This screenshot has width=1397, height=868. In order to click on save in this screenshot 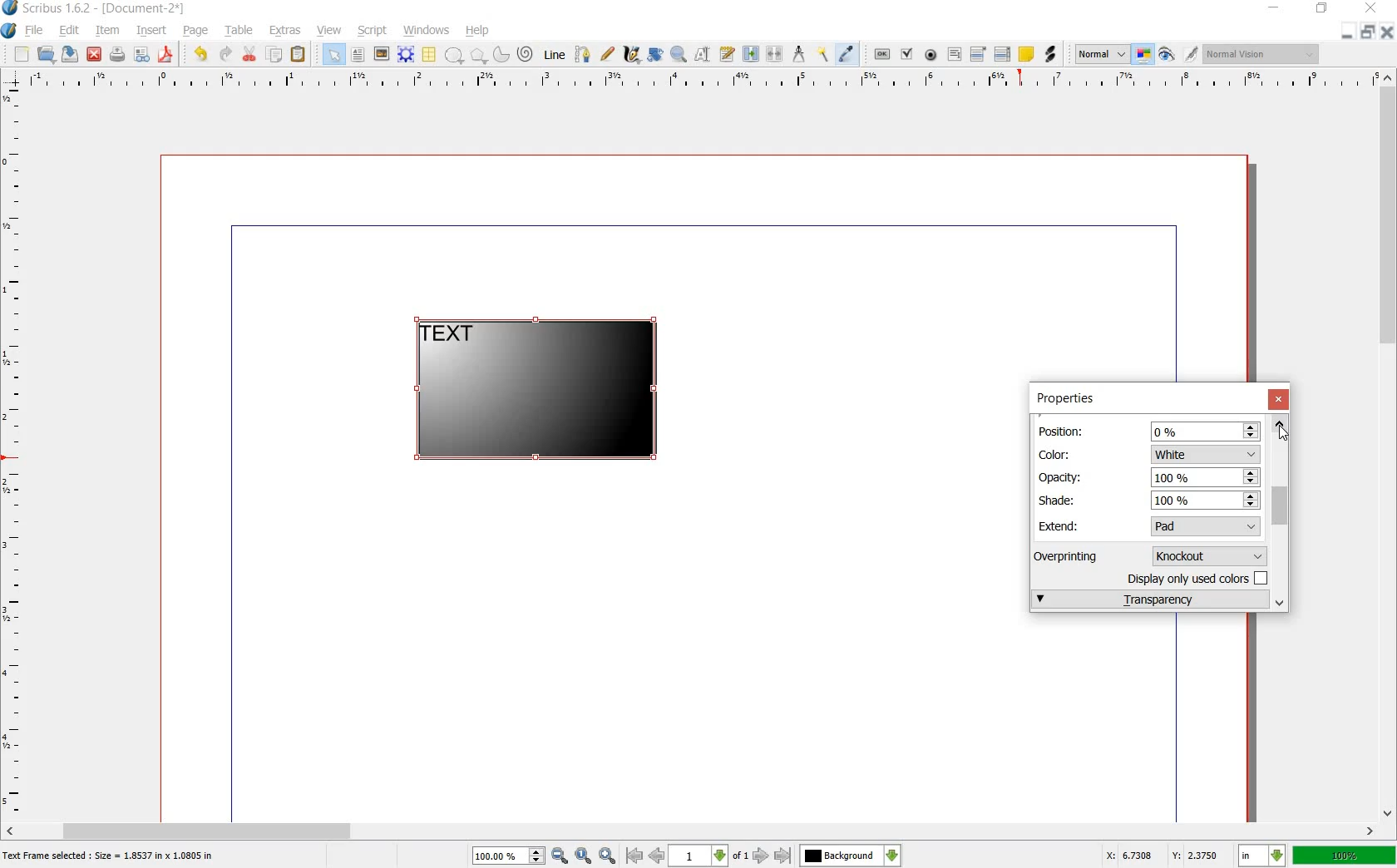, I will do `click(72, 54)`.